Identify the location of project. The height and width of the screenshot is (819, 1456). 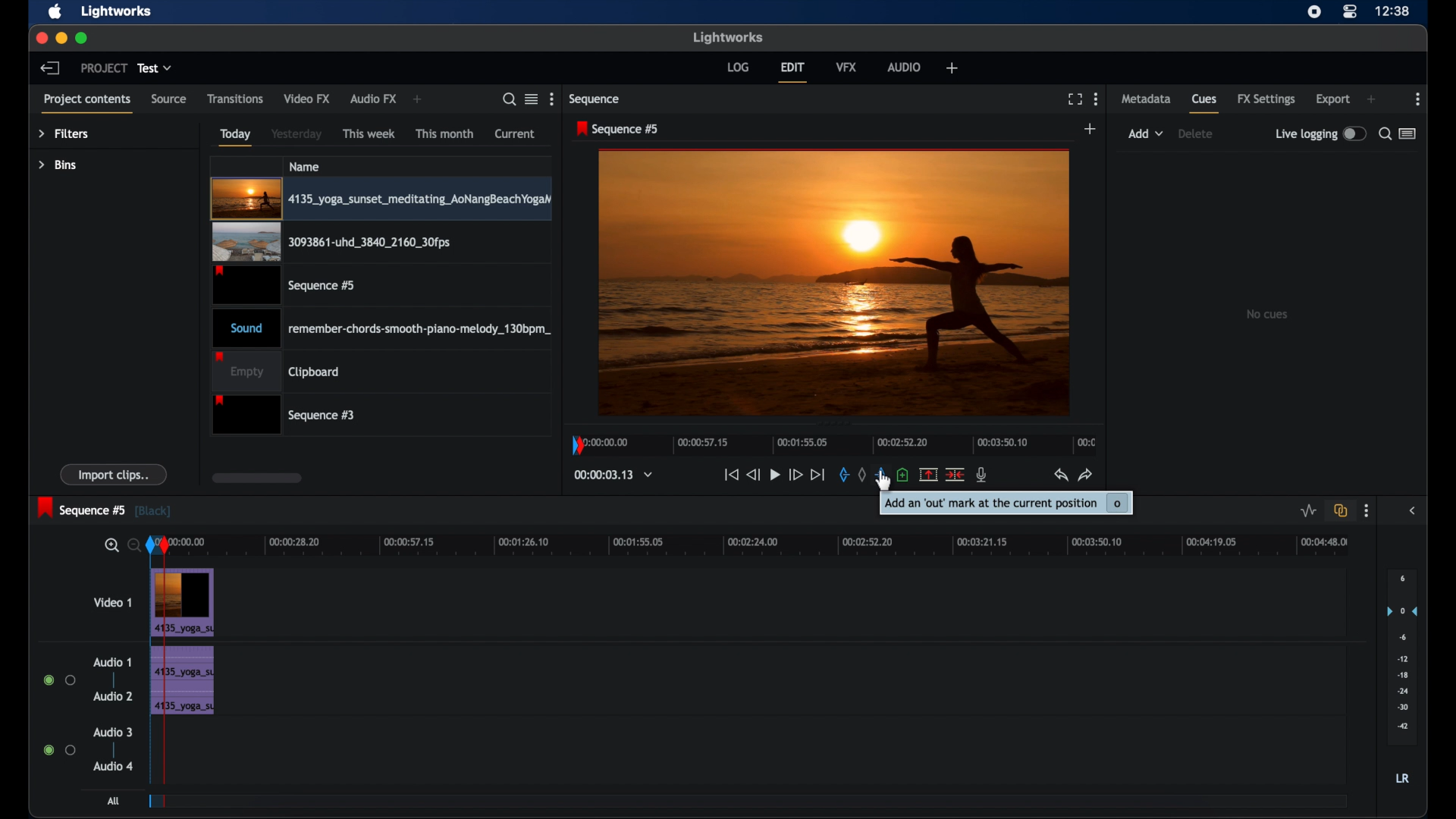
(102, 67).